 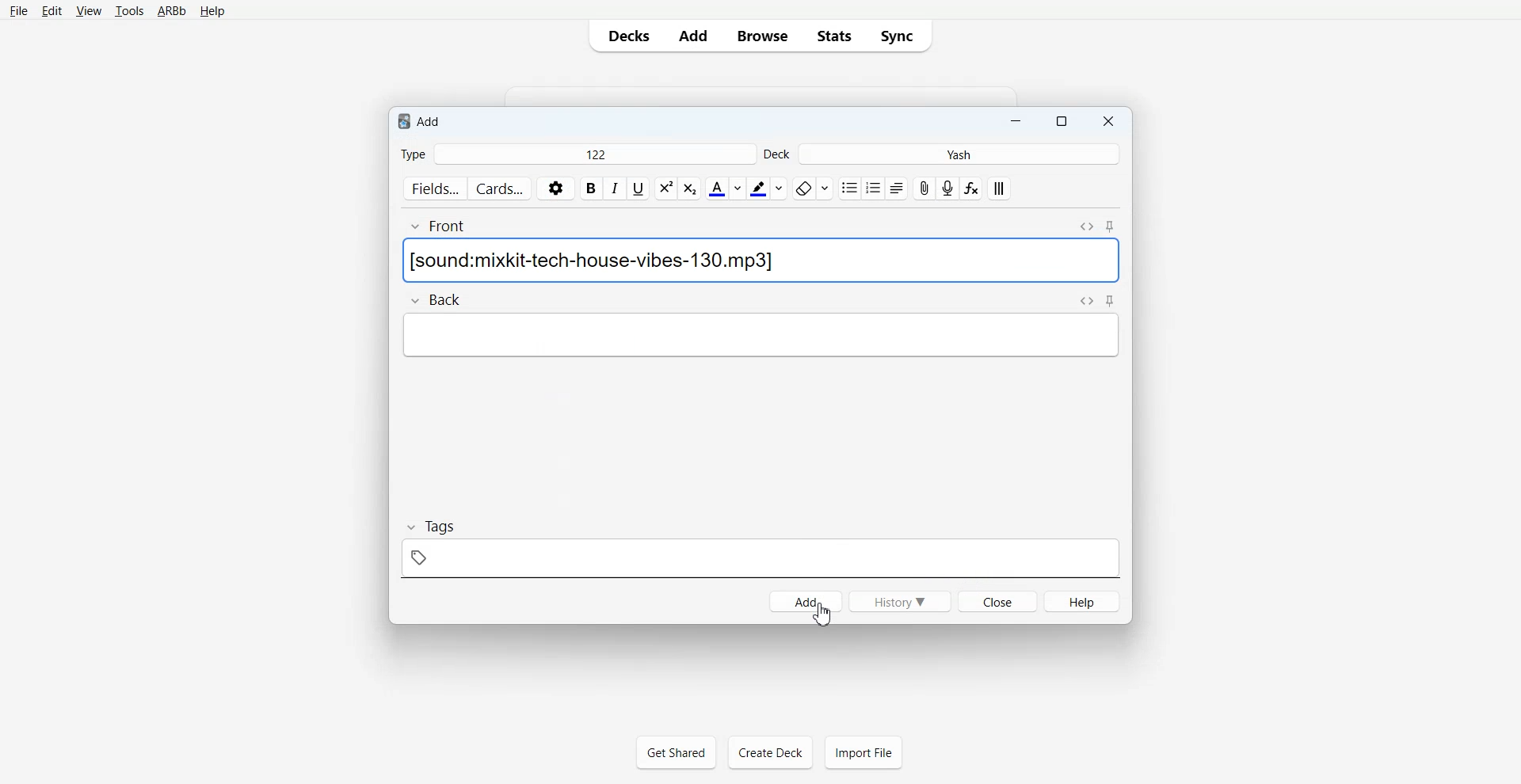 I want to click on Text, so click(x=597, y=261).